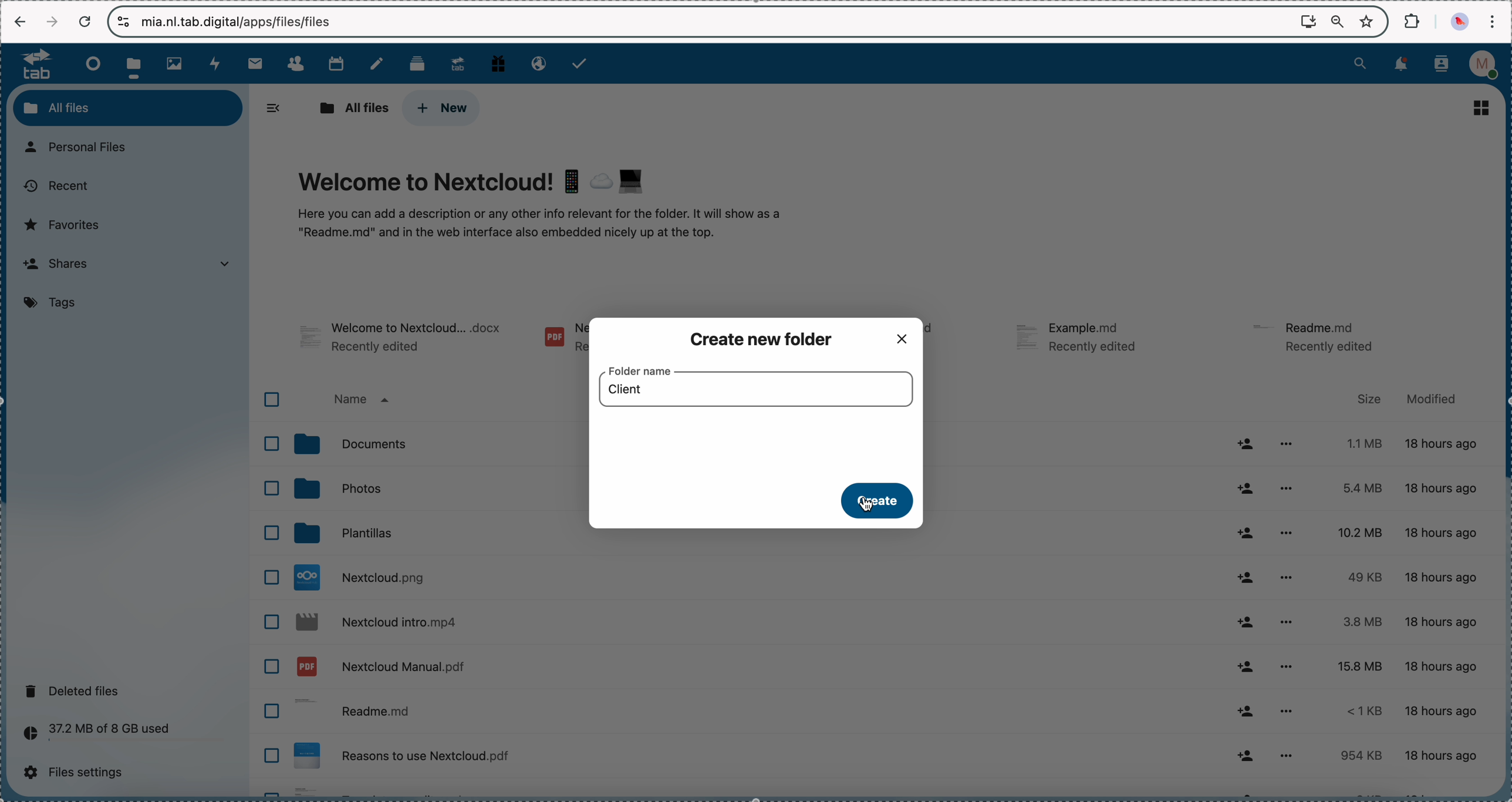 The width and height of the screenshot is (1512, 802). I want to click on profile, so click(1487, 65).